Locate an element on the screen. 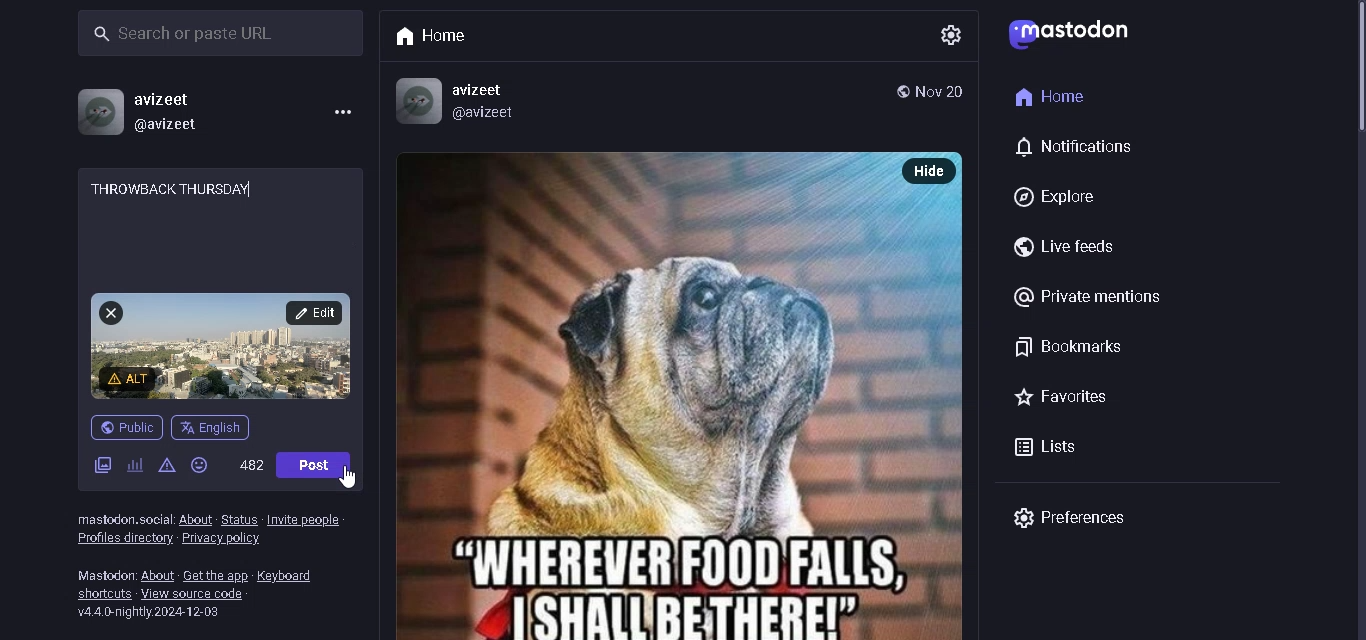  posted picture is located at coordinates (645, 395).